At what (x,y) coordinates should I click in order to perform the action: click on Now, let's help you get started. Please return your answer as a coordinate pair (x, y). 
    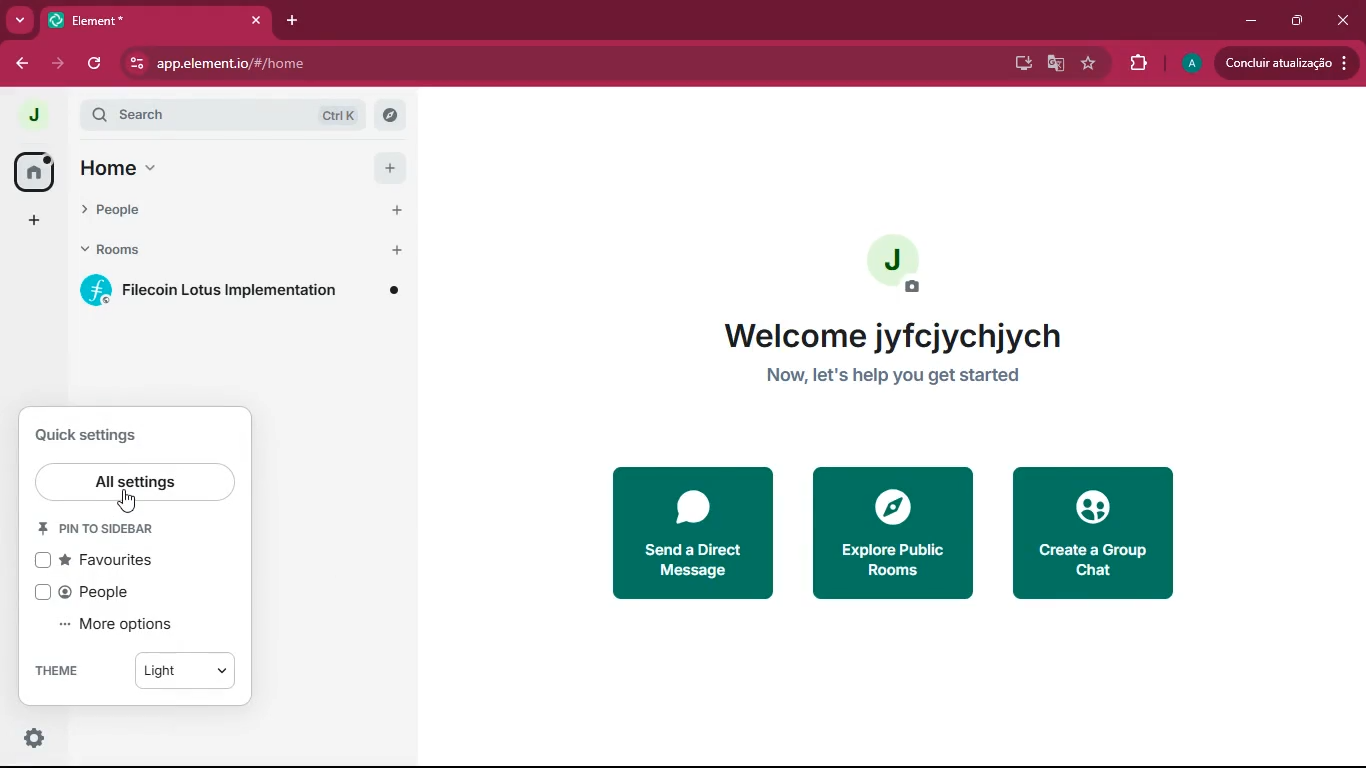
    Looking at the image, I should click on (894, 379).